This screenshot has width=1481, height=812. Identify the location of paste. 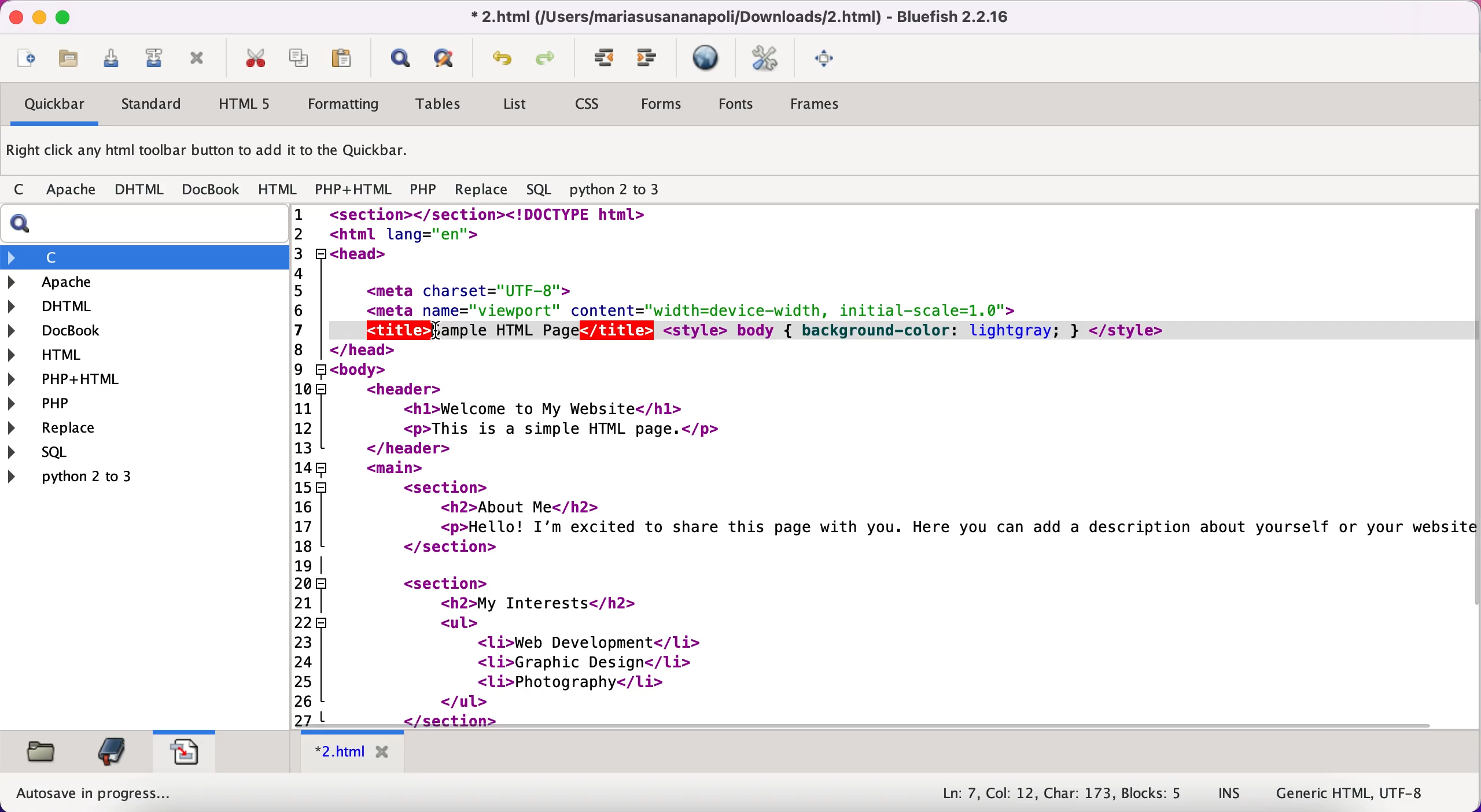
(346, 58).